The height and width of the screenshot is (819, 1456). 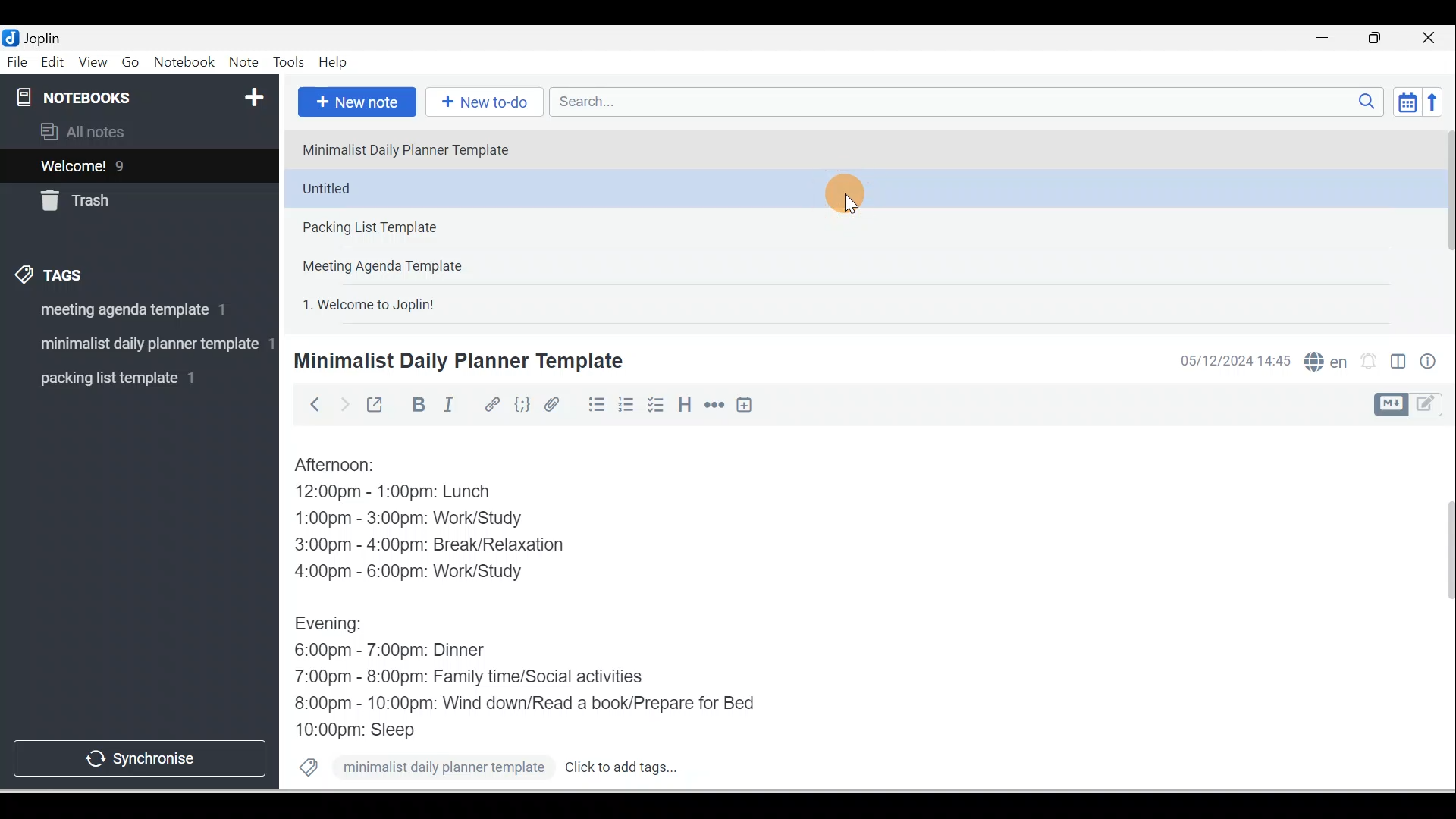 What do you see at coordinates (462, 547) in the screenshot?
I see `3:00pm - 4:00pm: Break/Relaxation` at bounding box center [462, 547].